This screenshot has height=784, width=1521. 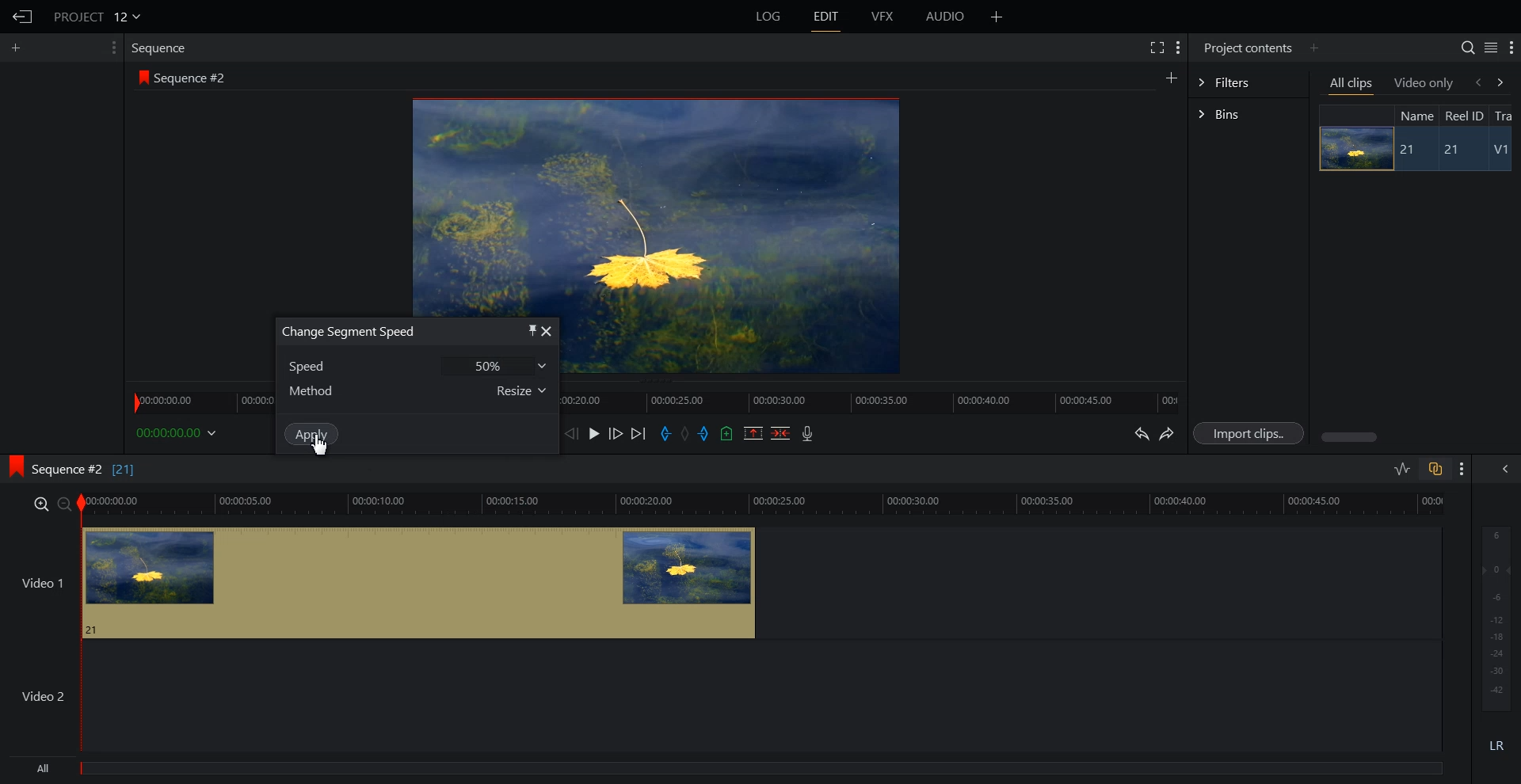 What do you see at coordinates (318, 365) in the screenshot?
I see `Speed` at bounding box center [318, 365].